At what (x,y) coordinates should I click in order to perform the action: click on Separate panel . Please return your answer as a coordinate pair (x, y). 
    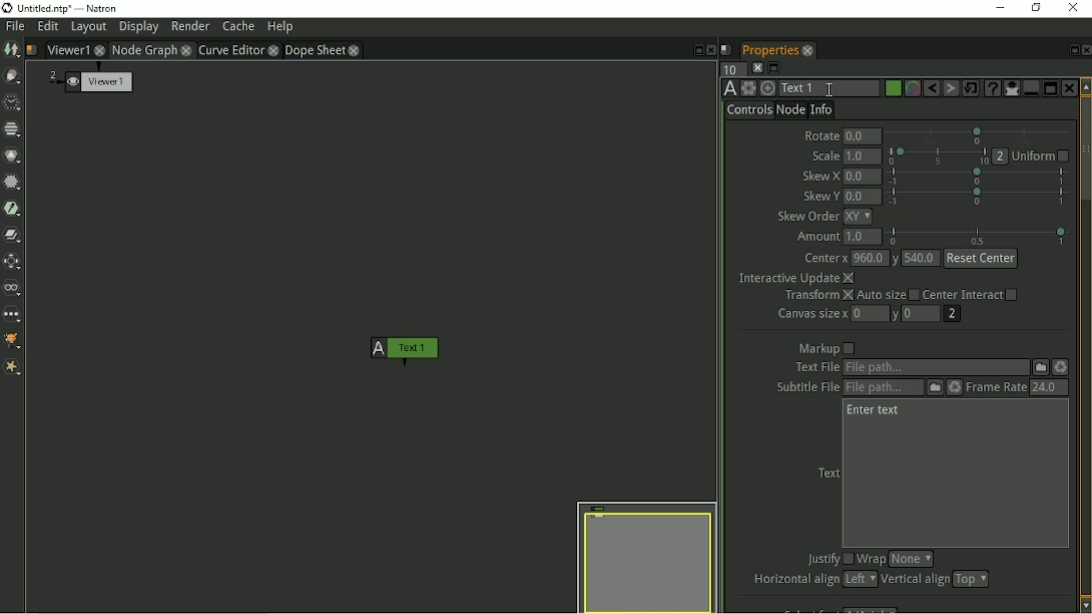
    Looking at the image, I should click on (1051, 86).